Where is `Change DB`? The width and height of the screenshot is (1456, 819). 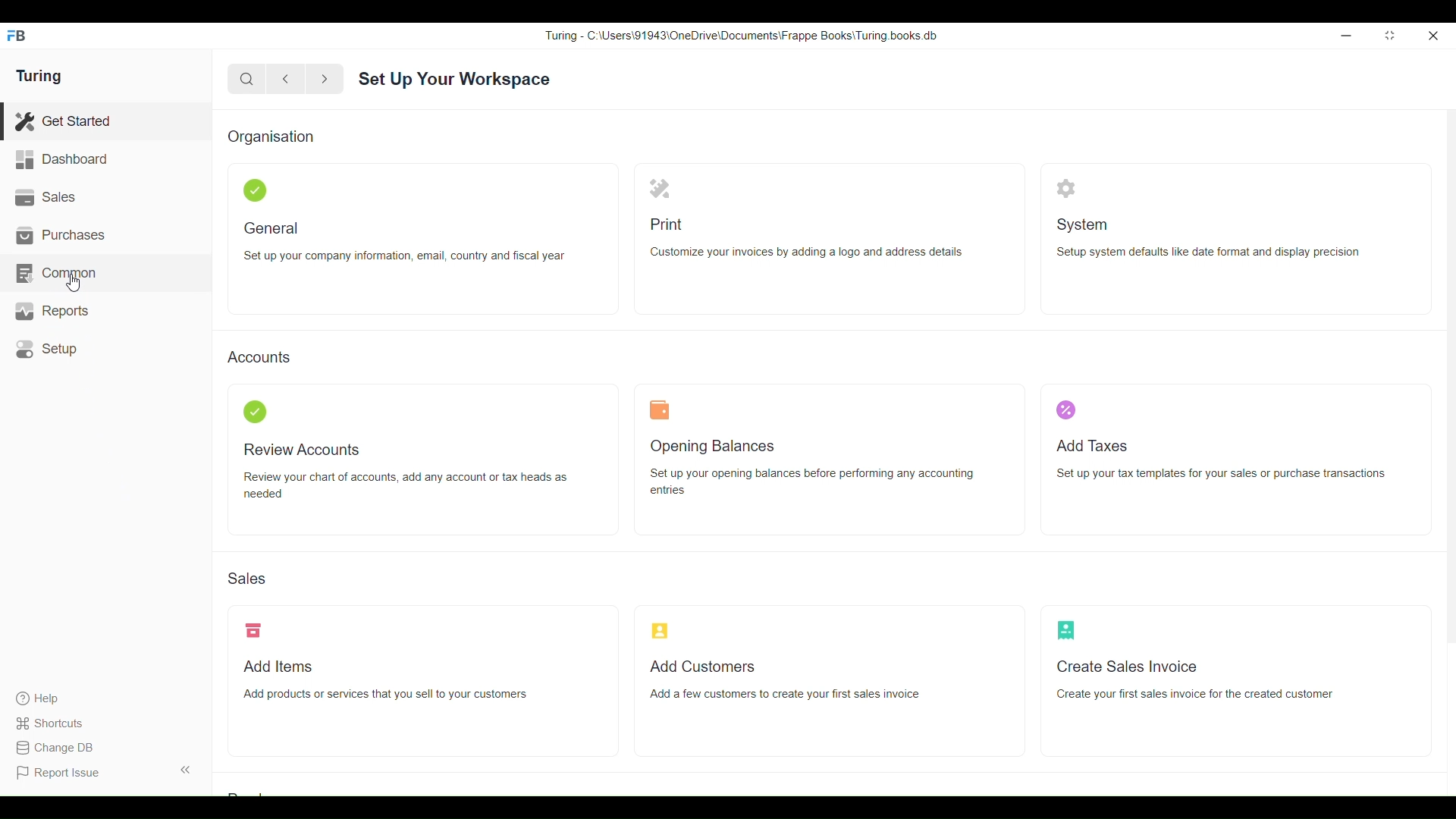
Change DB is located at coordinates (58, 748).